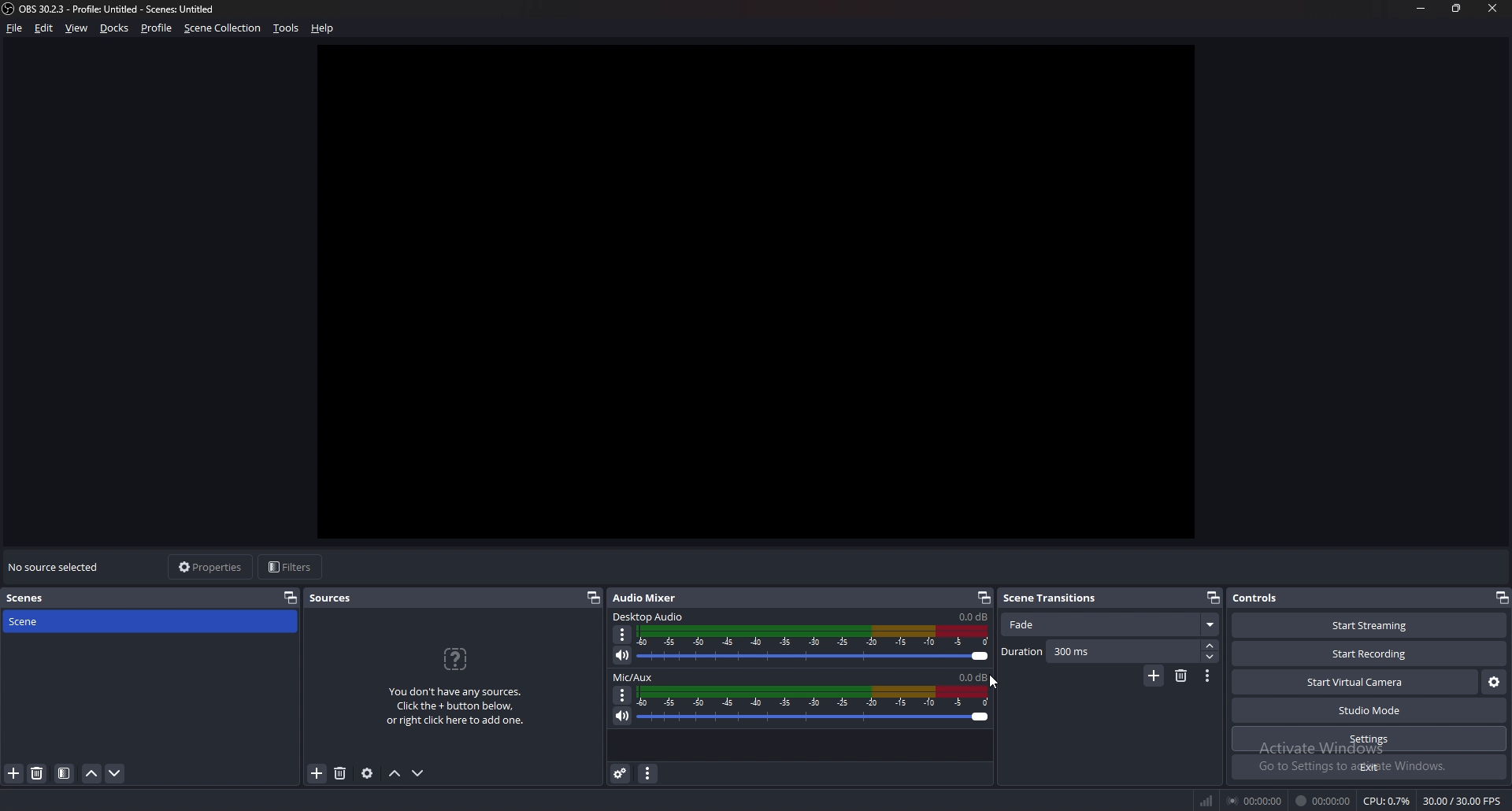 This screenshot has width=1512, height=811. I want to click on start streaming, so click(1369, 625).